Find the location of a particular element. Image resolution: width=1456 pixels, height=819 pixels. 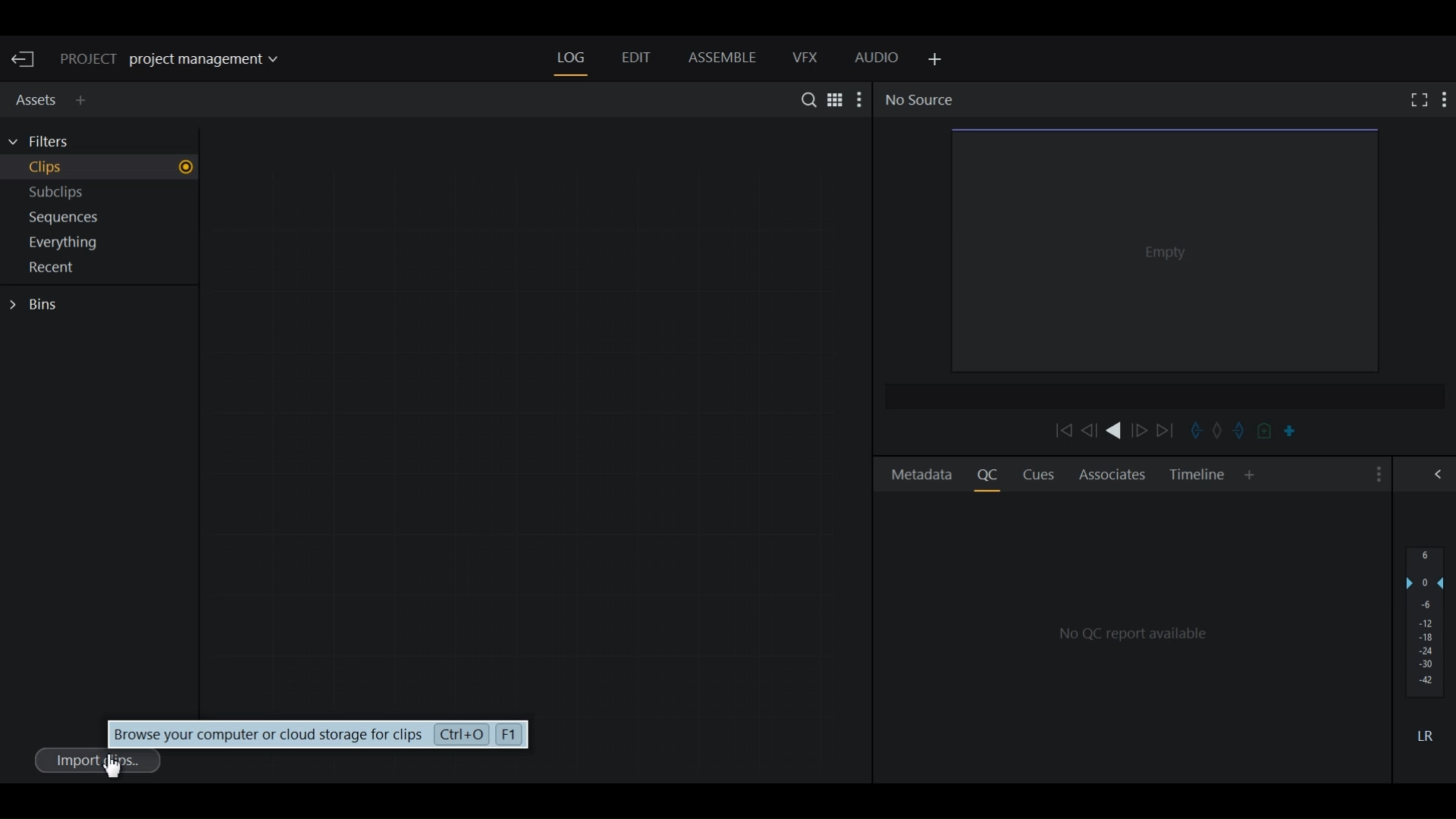

Mute is located at coordinates (1425, 735).